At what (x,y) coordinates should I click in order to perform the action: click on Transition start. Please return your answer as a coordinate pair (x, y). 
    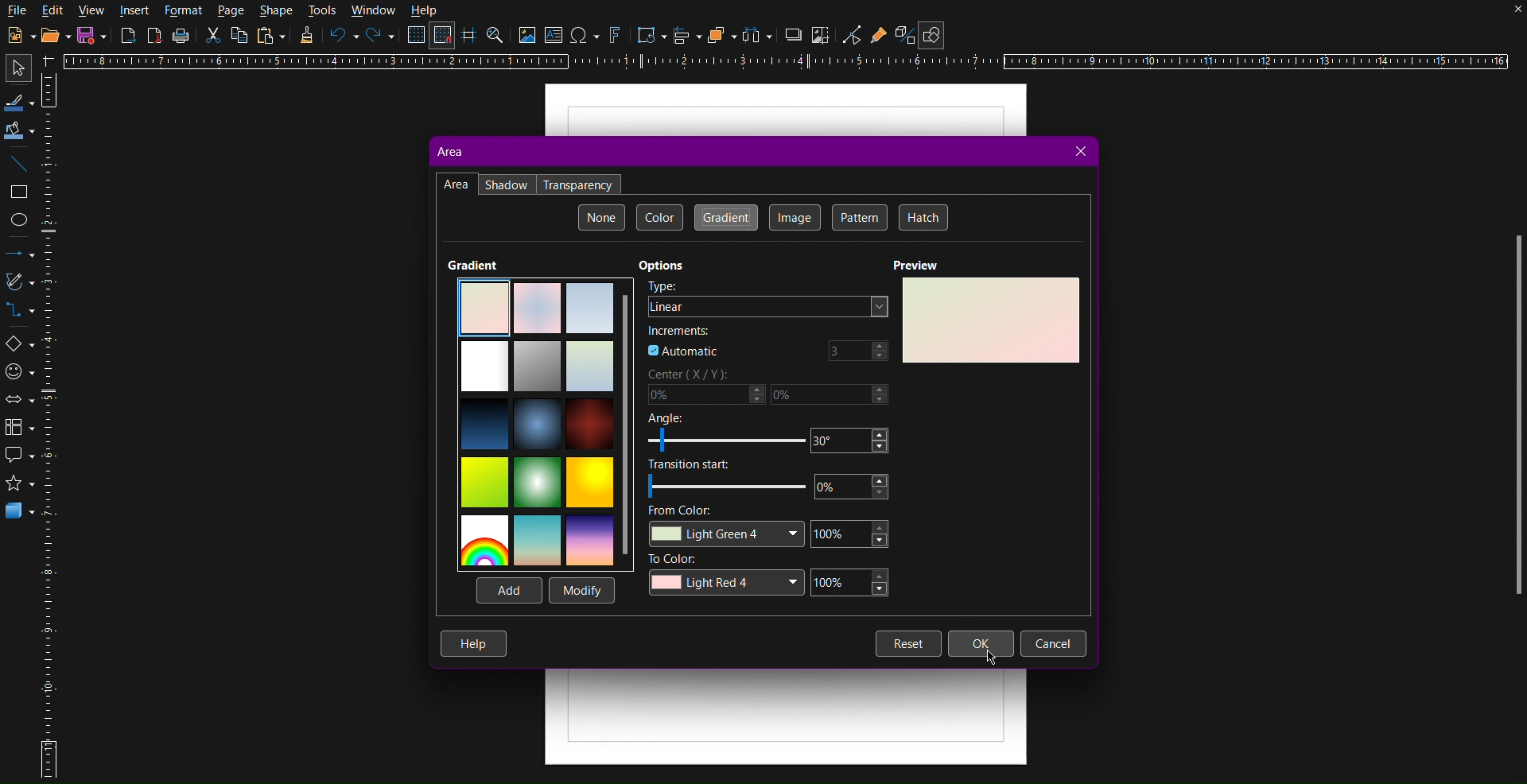
    Looking at the image, I should click on (765, 479).